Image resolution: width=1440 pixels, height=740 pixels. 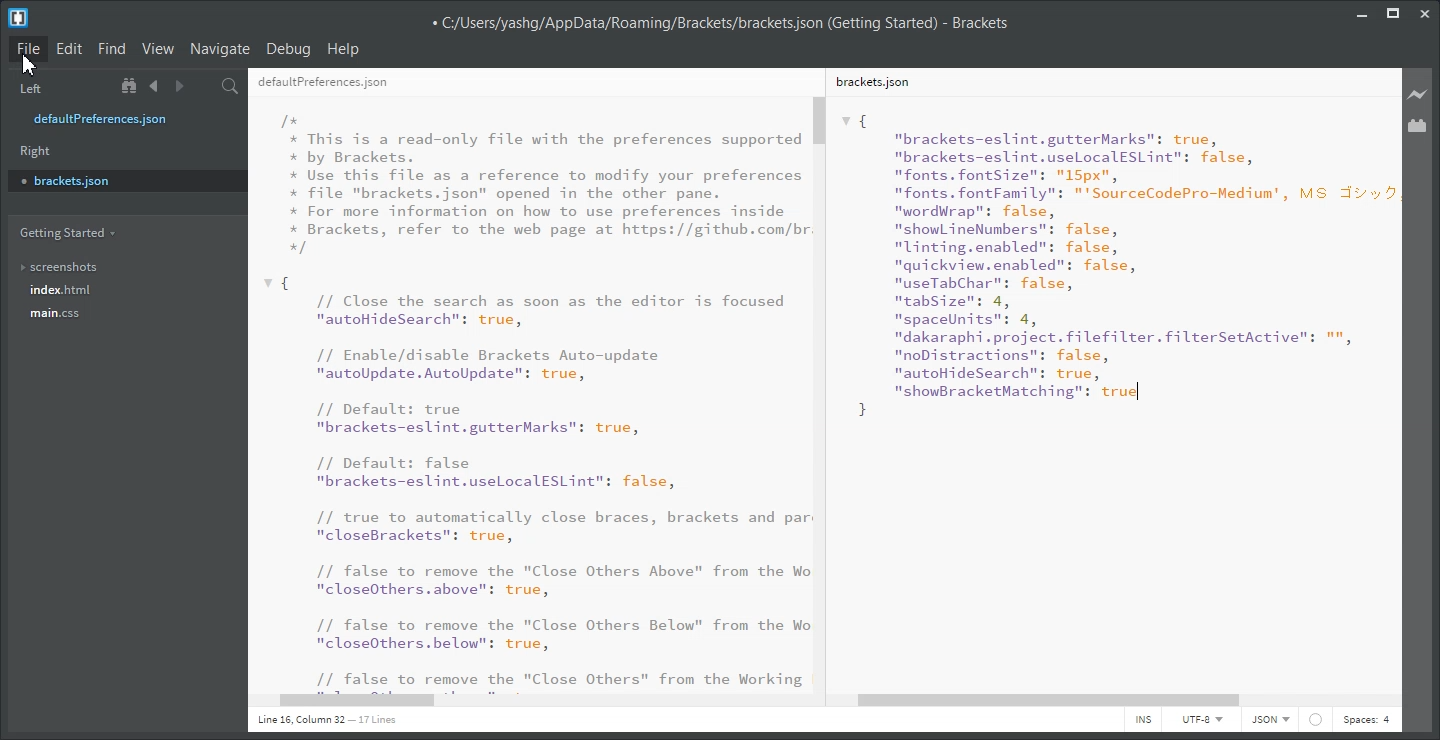 What do you see at coordinates (1201, 719) in the screenshot?
I see `UTF-8` at bounding box center [1201, 719].